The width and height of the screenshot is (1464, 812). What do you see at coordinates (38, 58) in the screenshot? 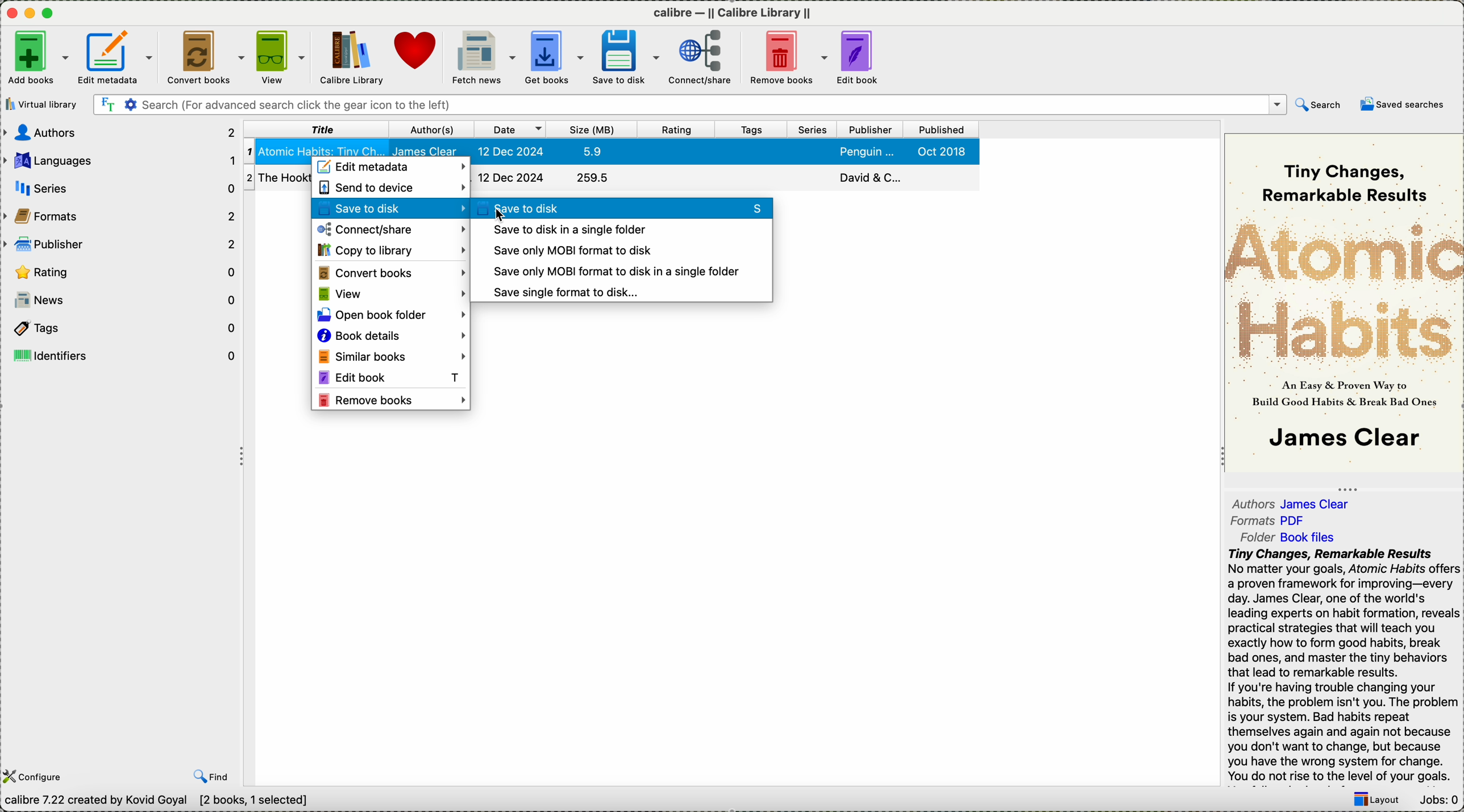
I see `add books` at bounding box center [38, 58].